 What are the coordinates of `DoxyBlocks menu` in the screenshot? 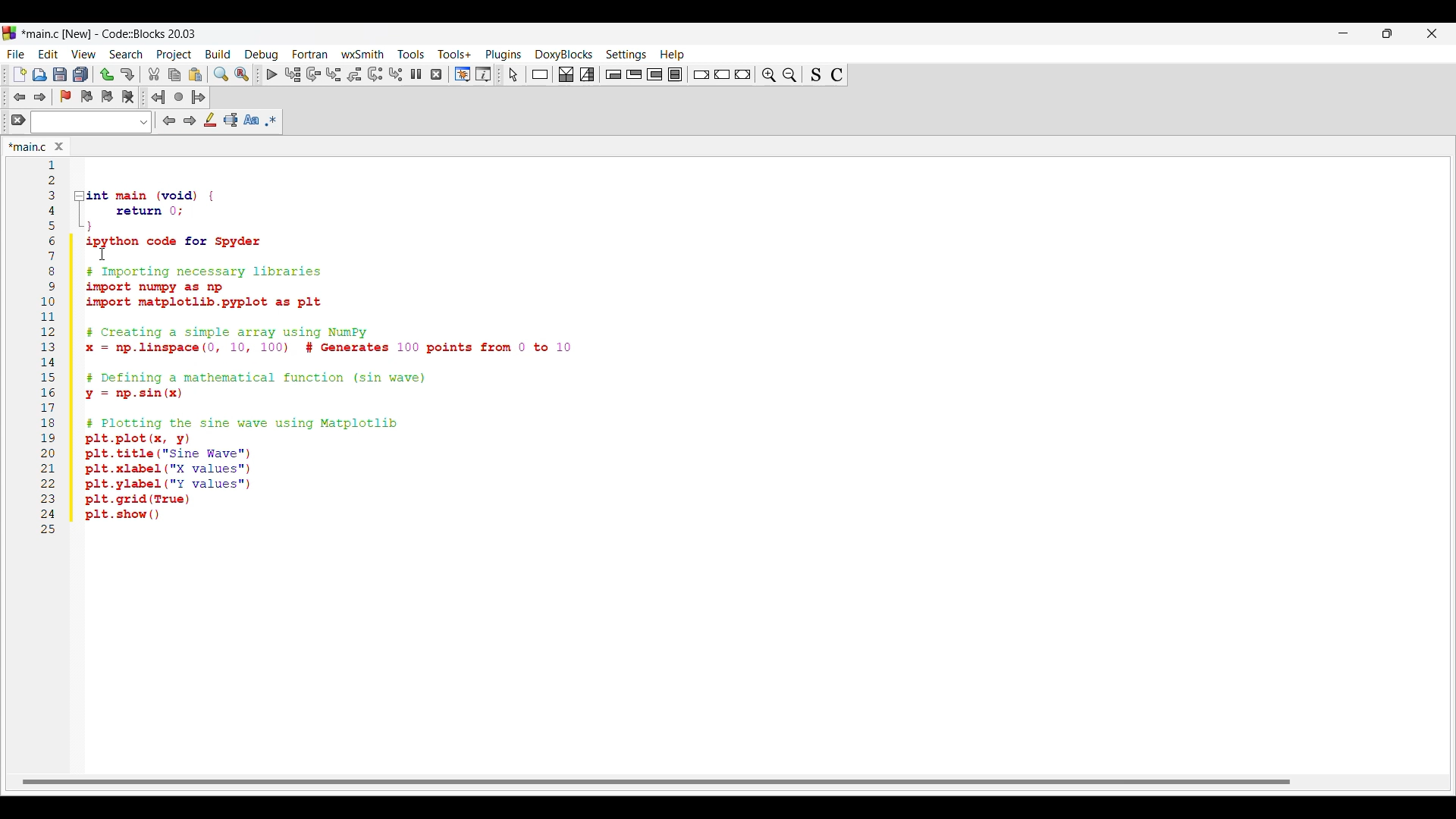 It's located at (563, 55).